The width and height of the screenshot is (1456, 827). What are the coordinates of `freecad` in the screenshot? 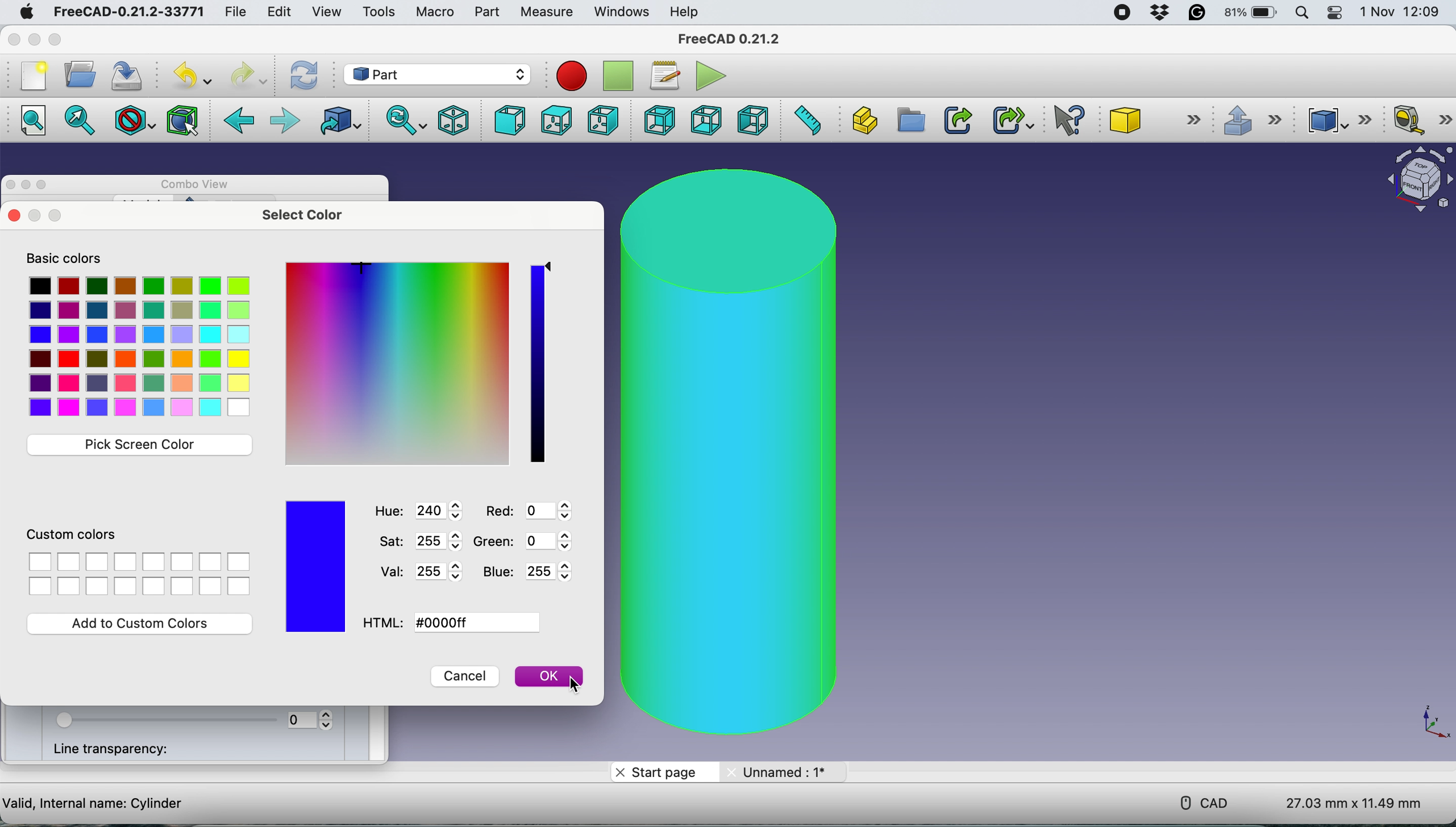 It's located at (126, 12).